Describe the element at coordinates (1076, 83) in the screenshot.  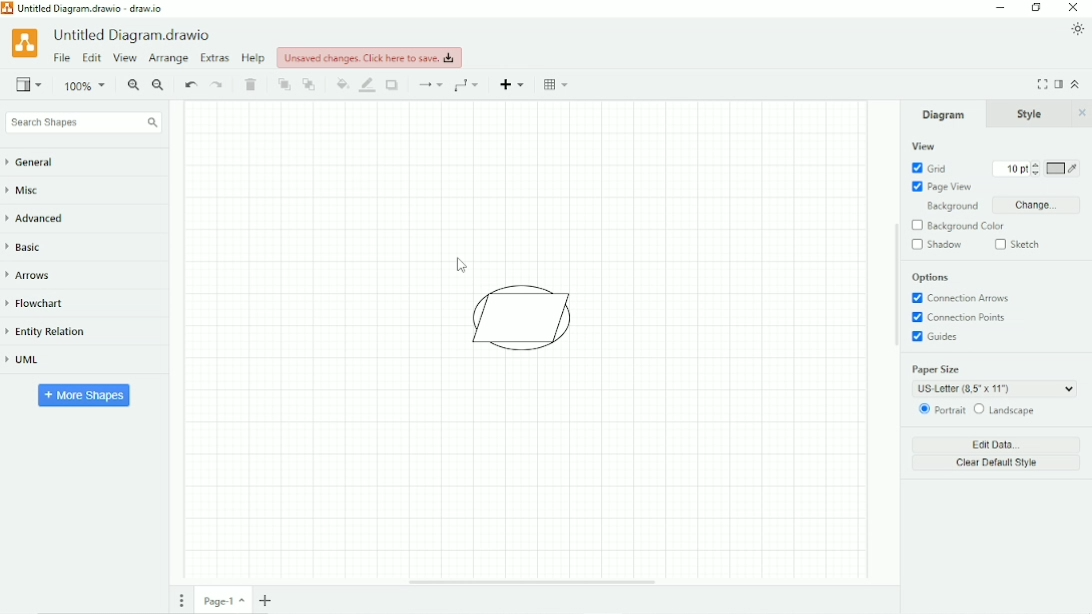
I see `Collapse/Expand` at that location.